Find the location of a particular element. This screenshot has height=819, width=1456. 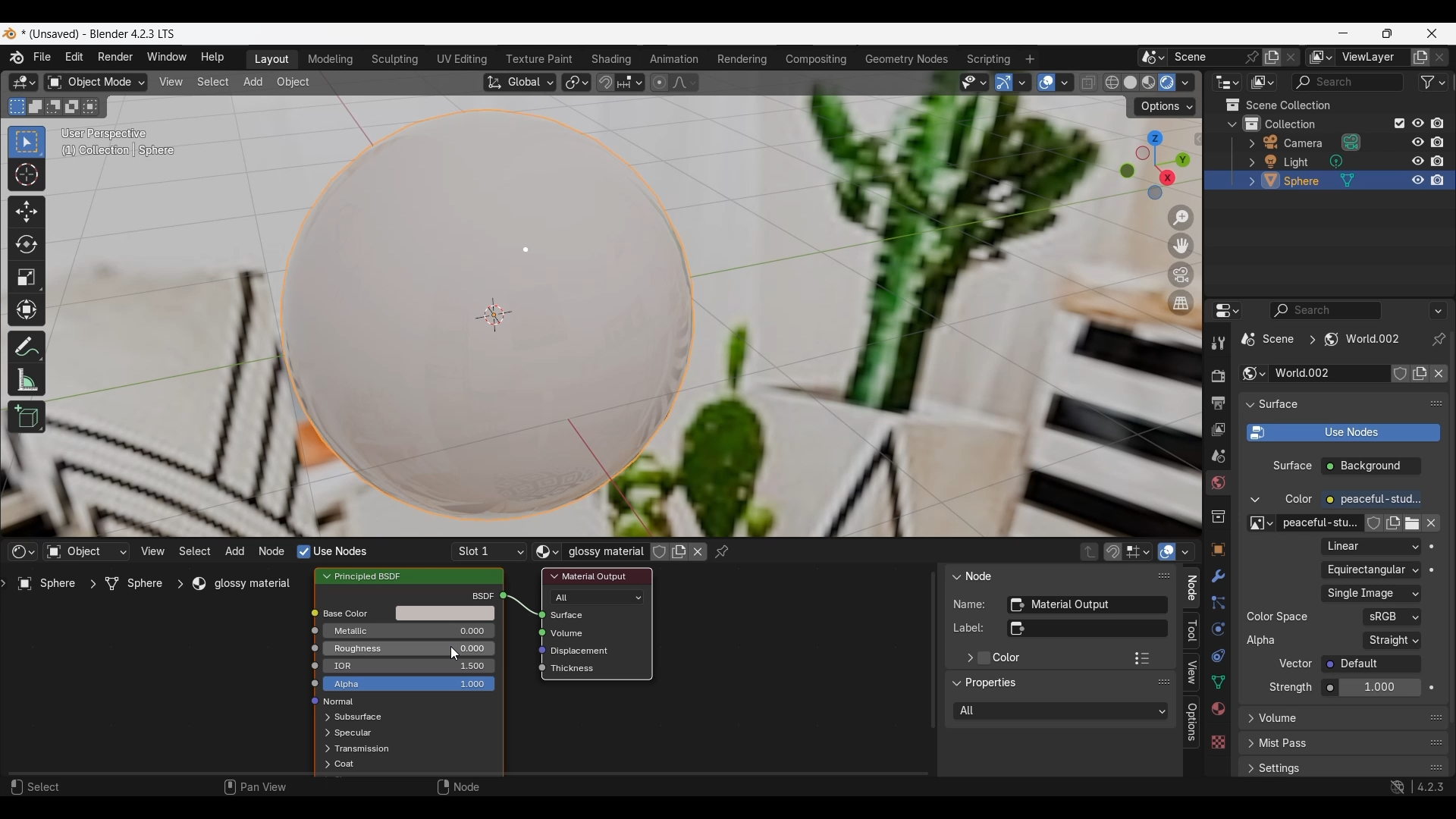

Proportional editing fall off is located at coordinates (683, 83).